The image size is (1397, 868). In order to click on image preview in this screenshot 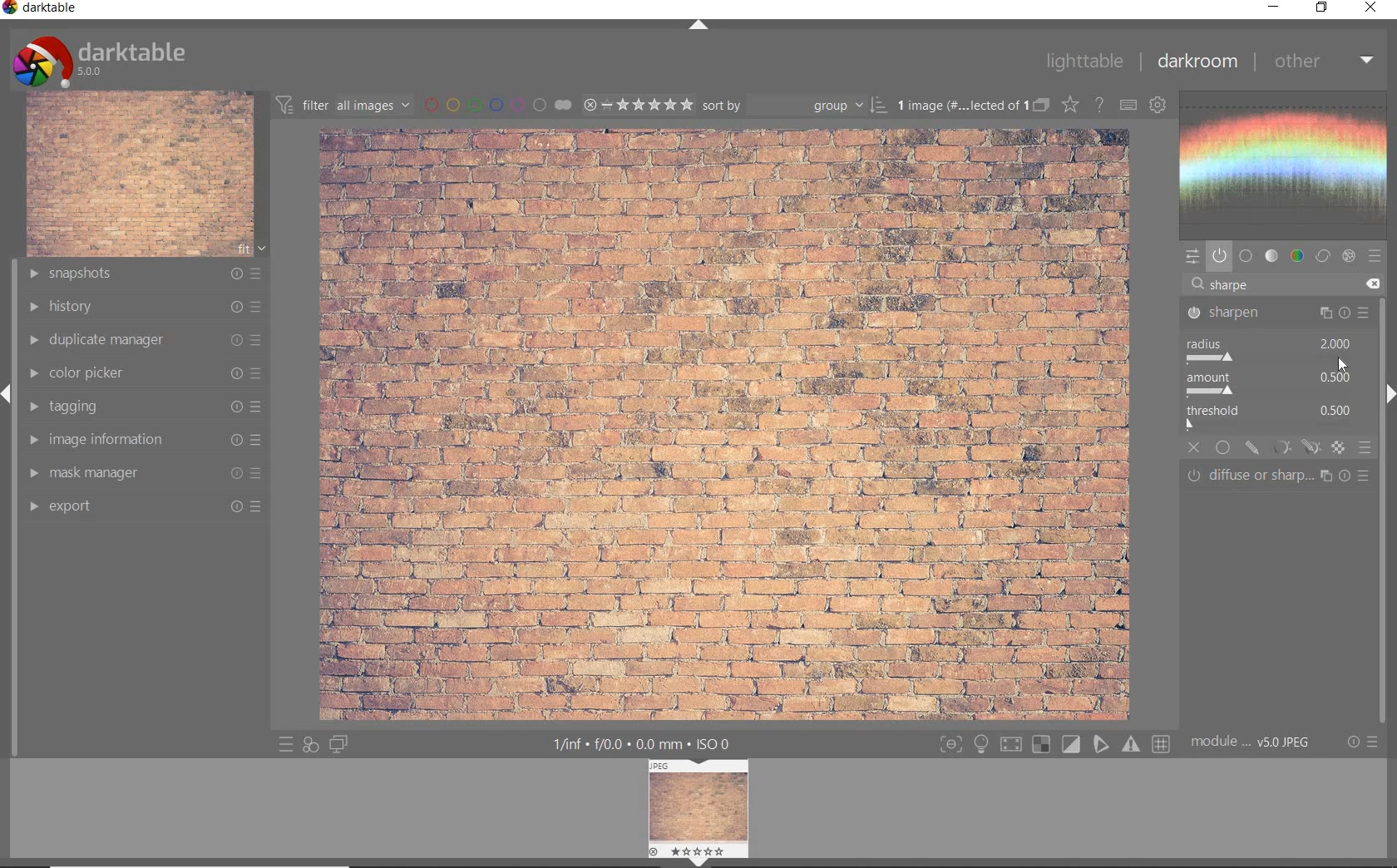, I will do `click(700, 806)`.